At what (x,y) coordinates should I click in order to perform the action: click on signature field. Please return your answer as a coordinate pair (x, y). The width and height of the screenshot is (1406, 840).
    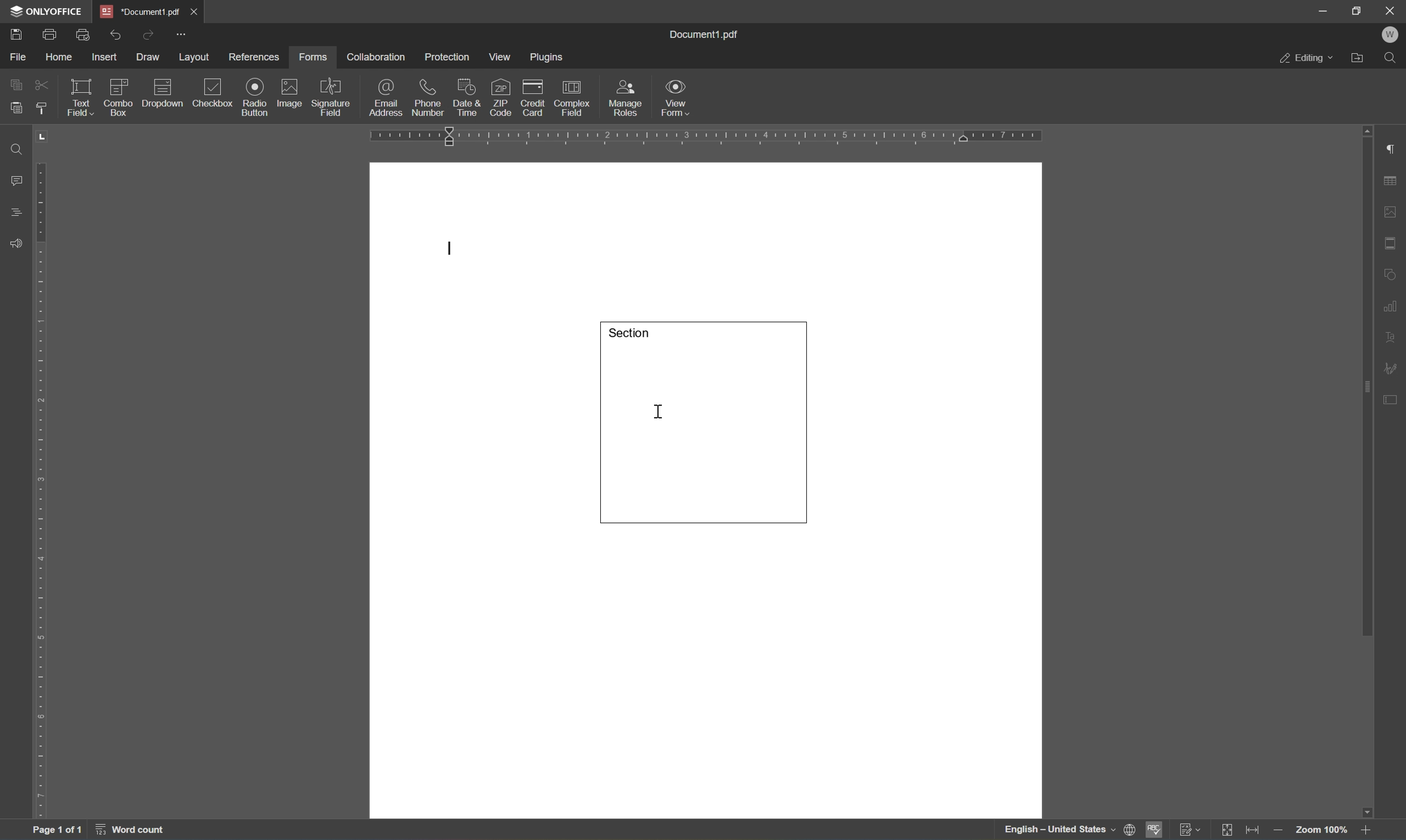
    Looking at the image, I should click on (331, 98).